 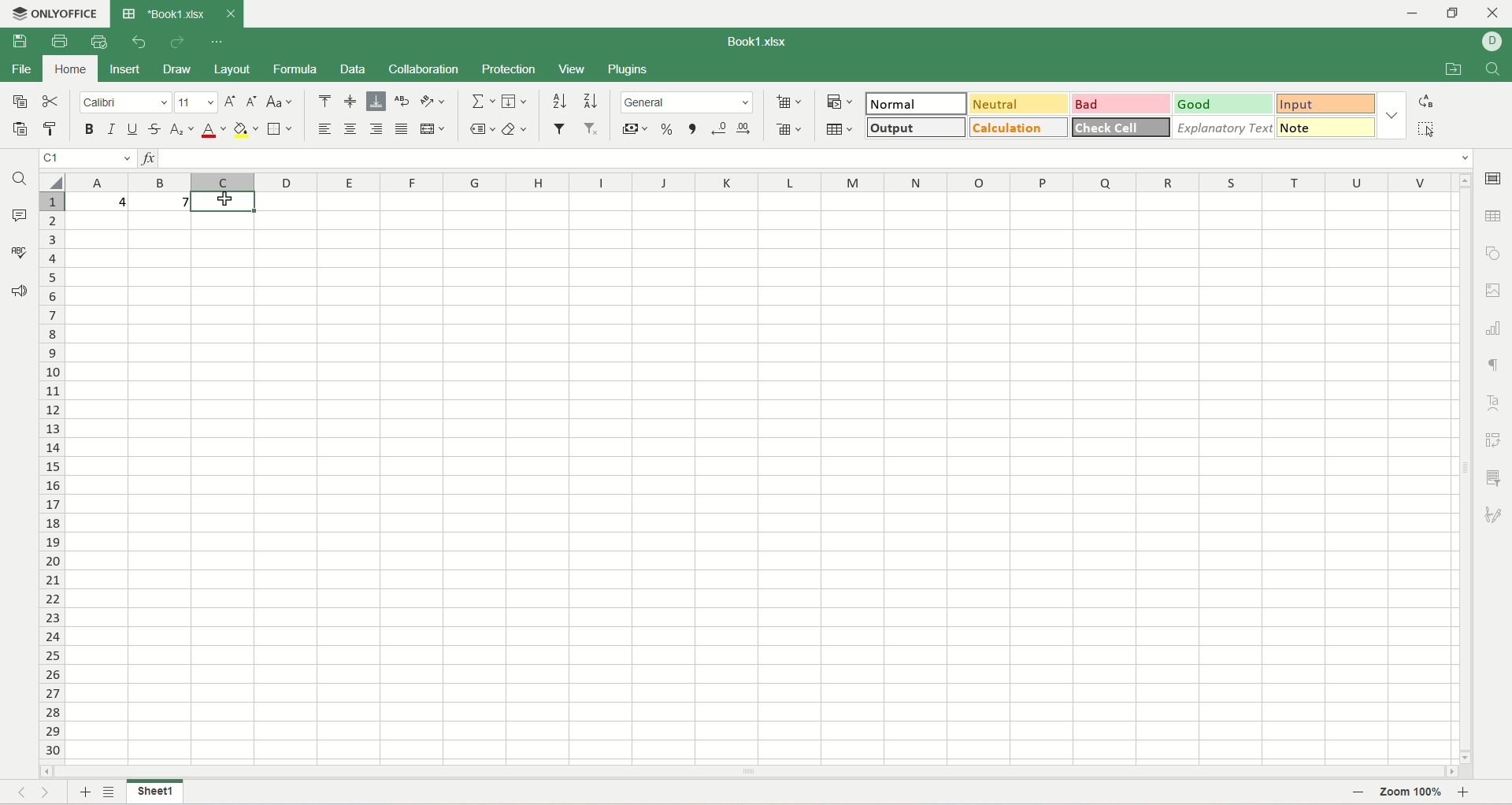 What do you see at coordinates (666, 128) in the screenshot?
I see `percent format` at bounding box center [666, 128].